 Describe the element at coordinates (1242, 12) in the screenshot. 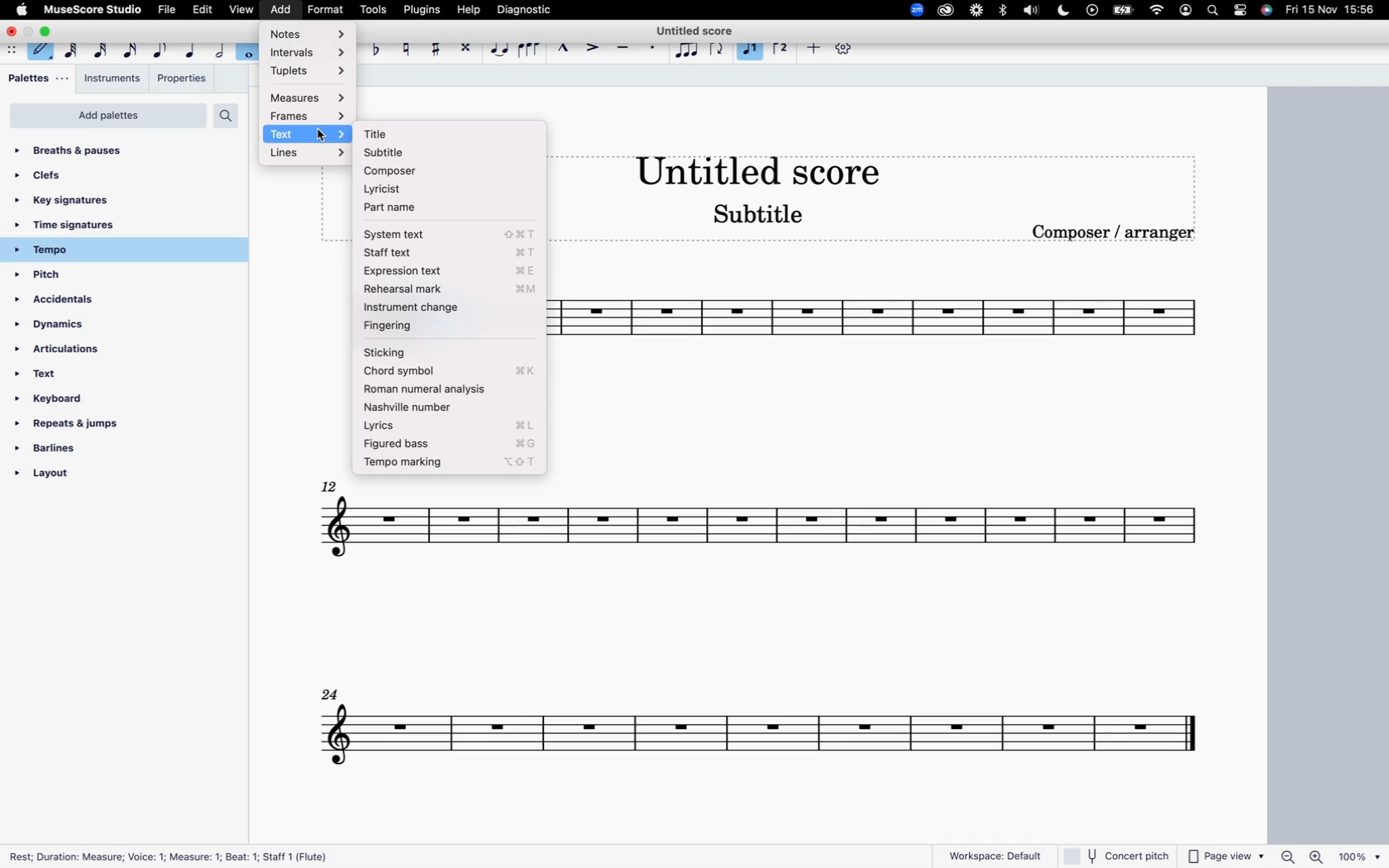

I see `settings` at that location.